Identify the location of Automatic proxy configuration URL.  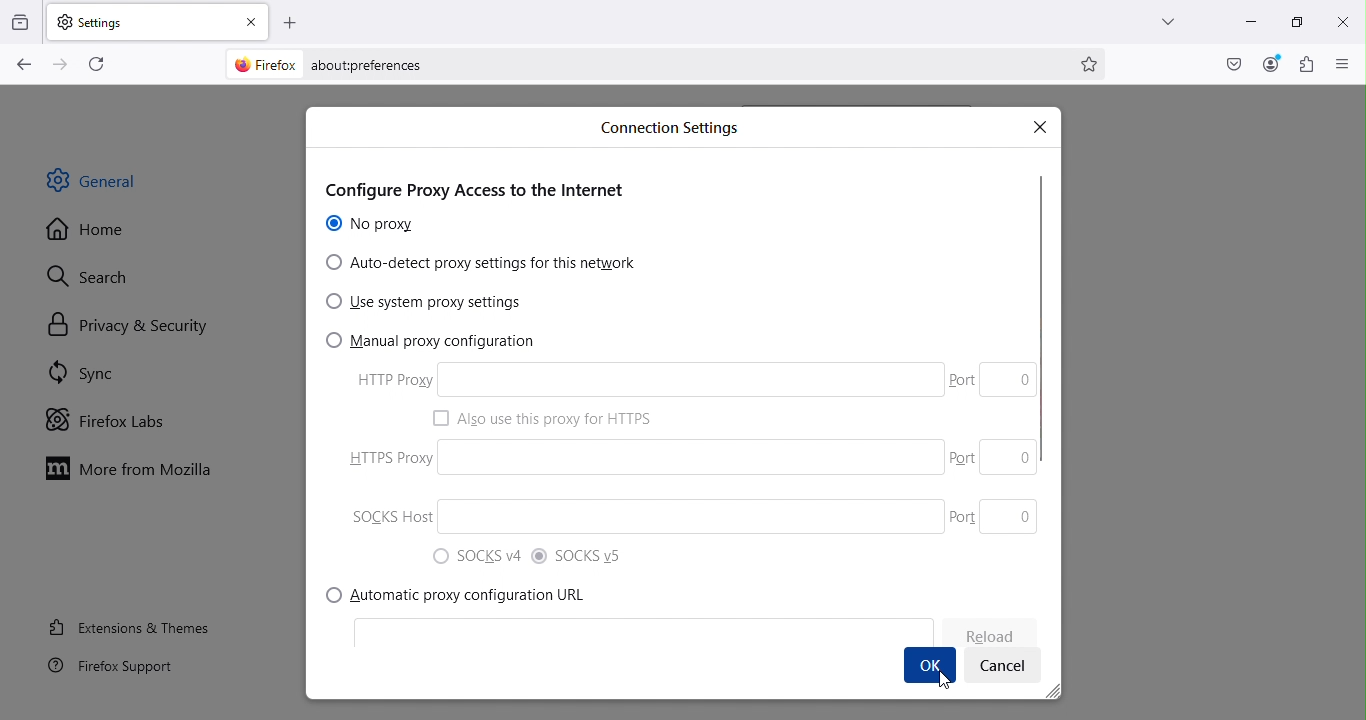
(465, 595).